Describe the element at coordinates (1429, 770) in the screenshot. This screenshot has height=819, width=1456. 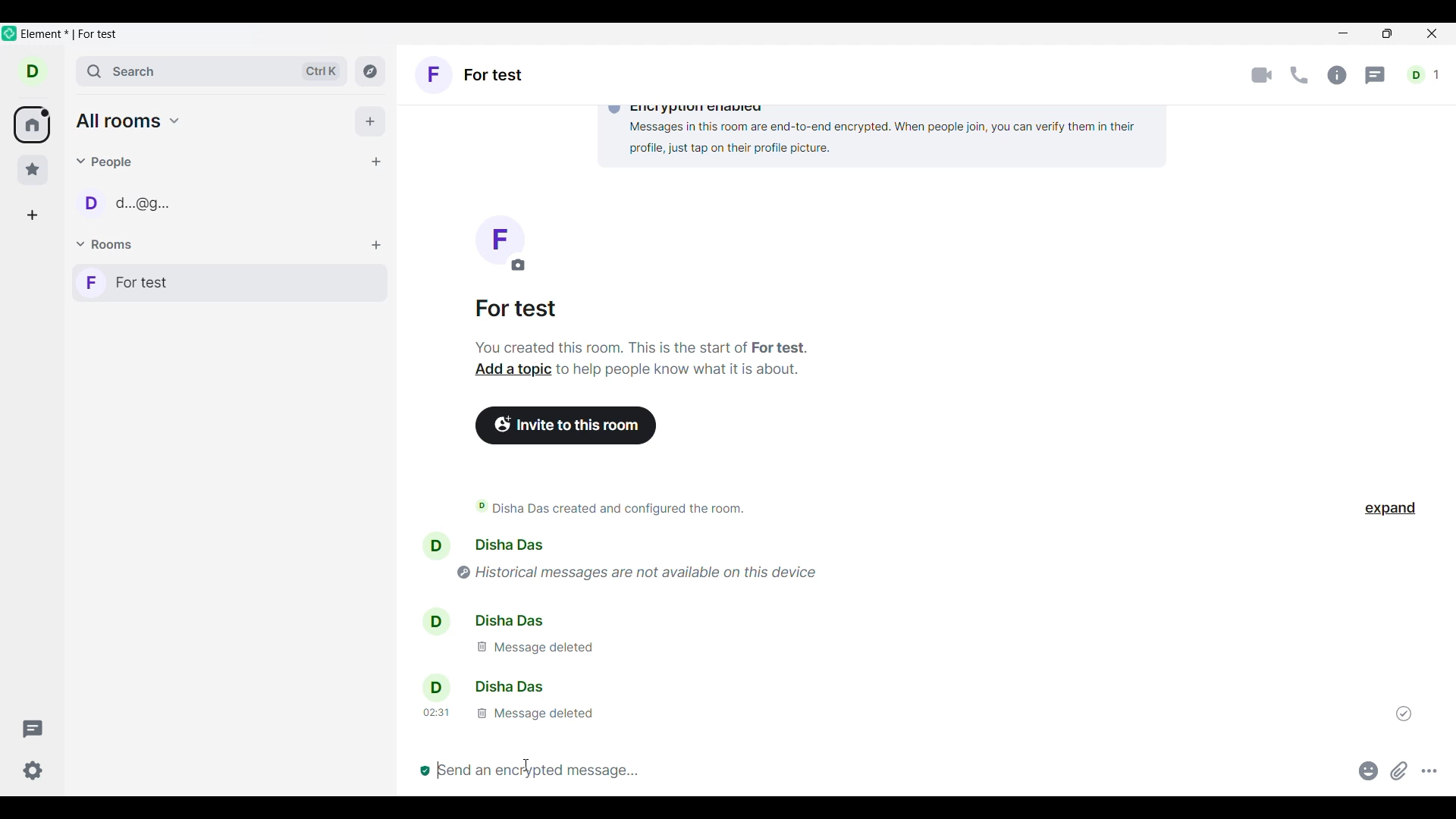
I see `More options` at that location.